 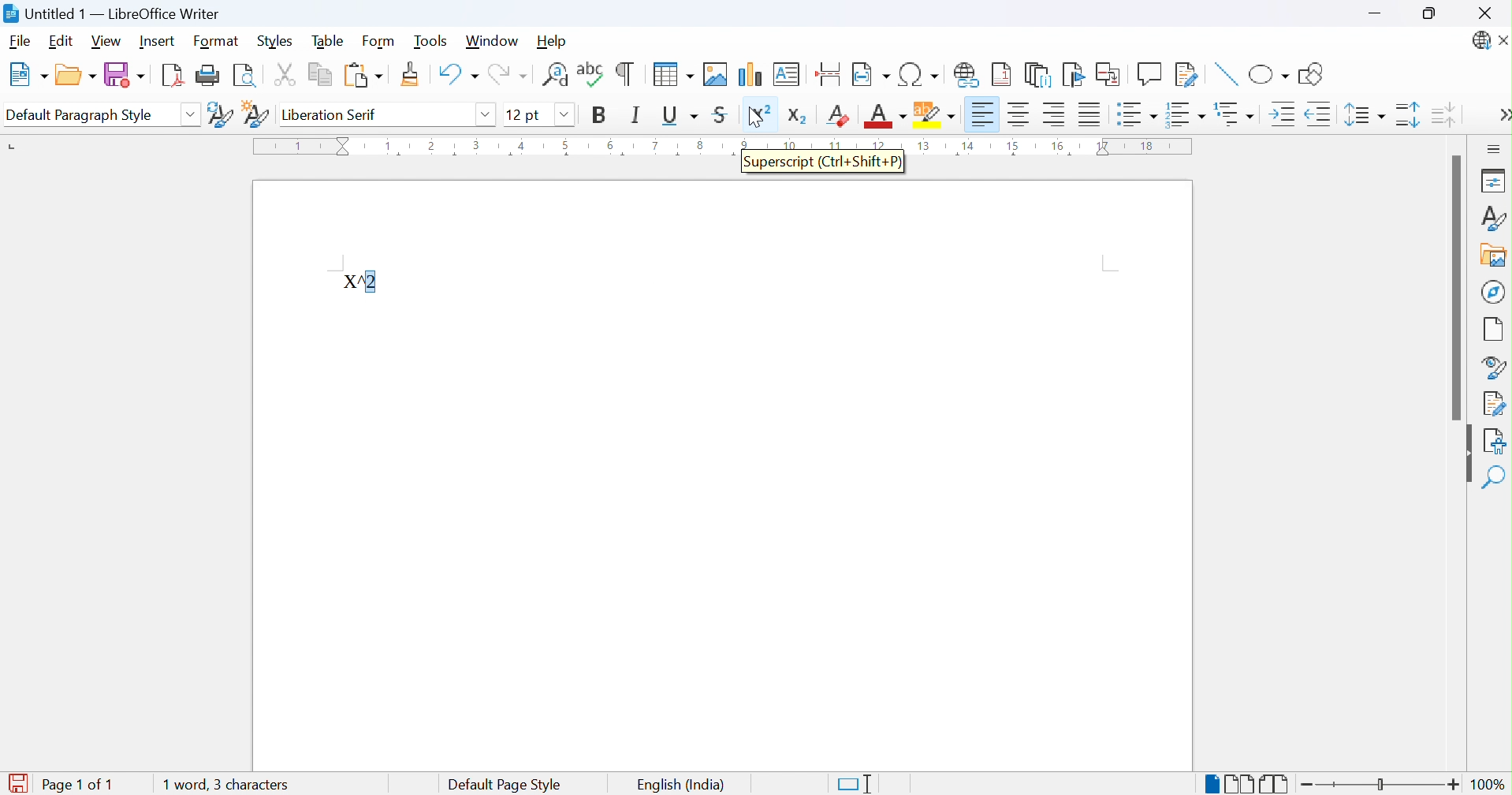 I want to click on Format, so click(x=214, y=42).